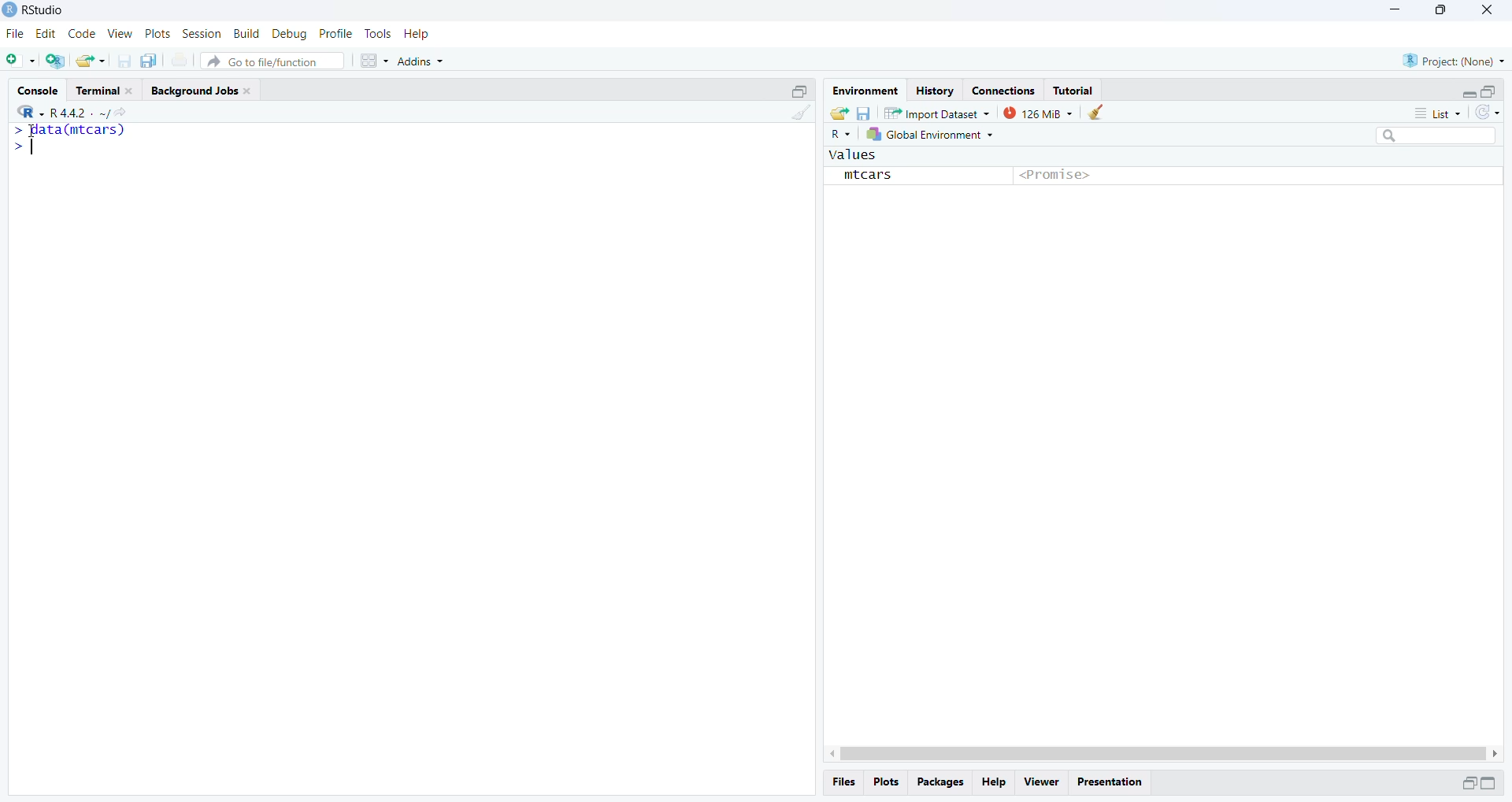 Image resolution: width=1512 pixels, height=802 pixels. Describe the element at coordinates (1436, 136) in the screenshot. I see `search` at that location.